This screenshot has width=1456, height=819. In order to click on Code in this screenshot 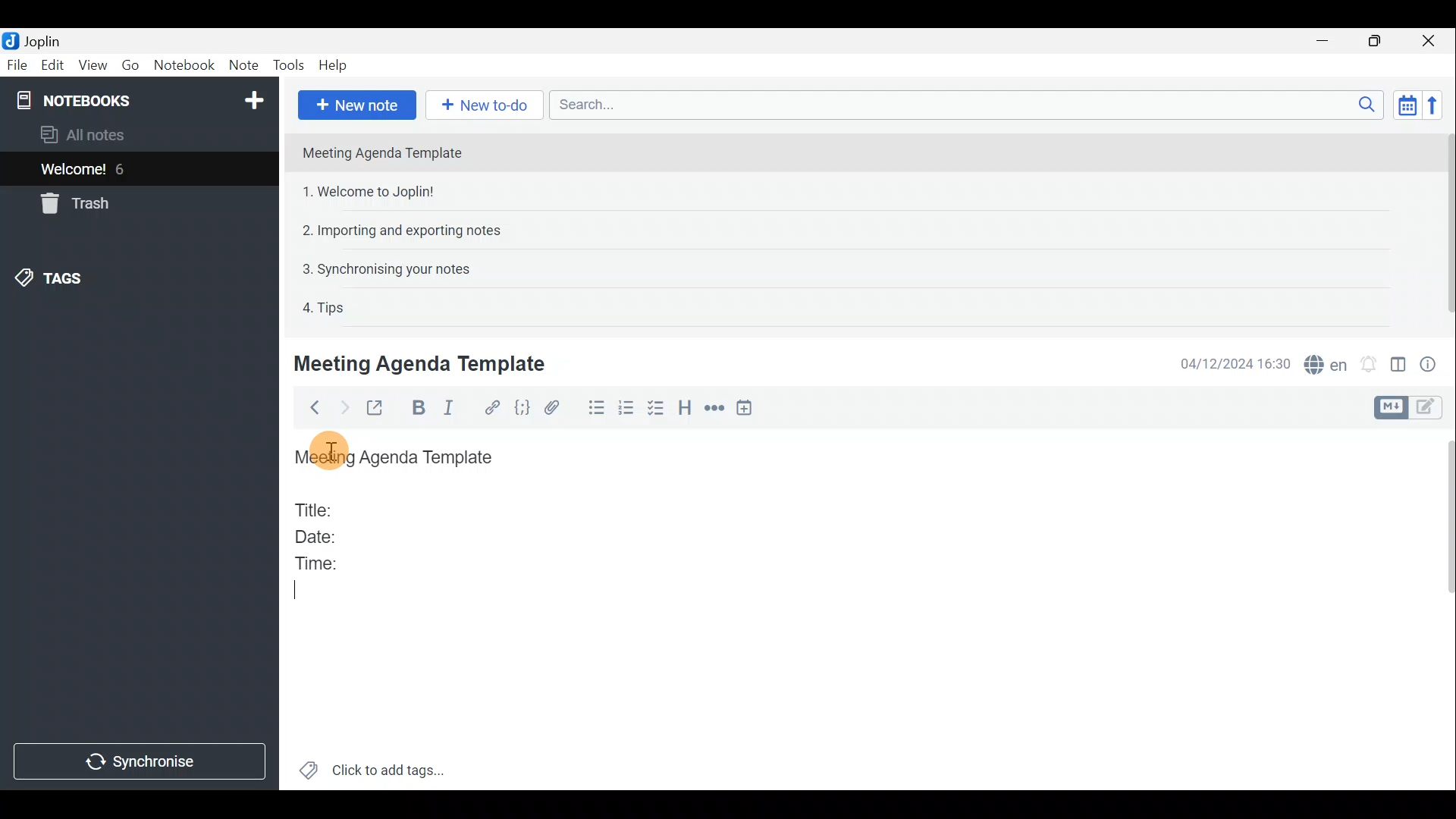, I will do `click(524, 409)`.